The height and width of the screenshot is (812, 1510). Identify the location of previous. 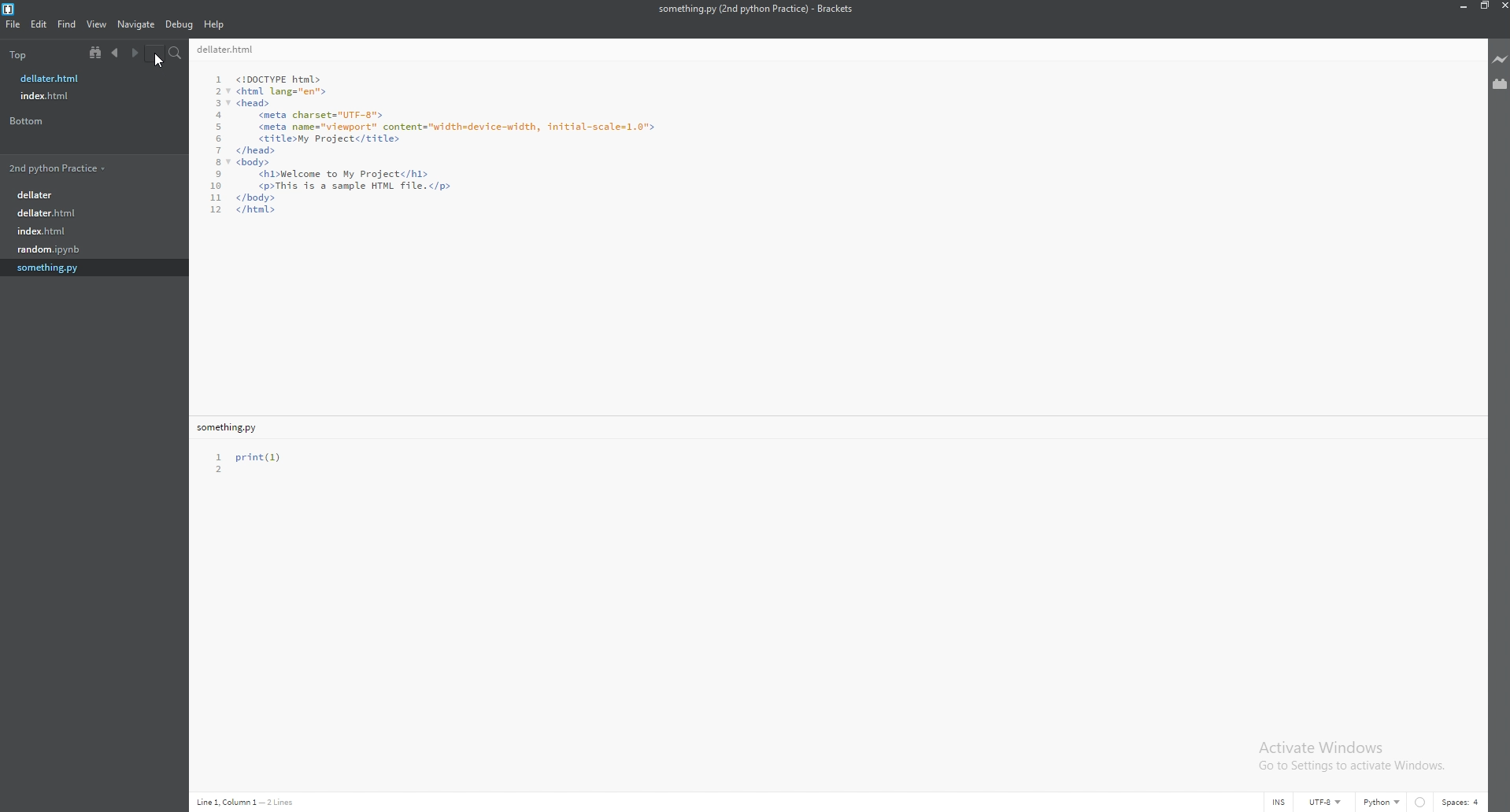
(115, 52).